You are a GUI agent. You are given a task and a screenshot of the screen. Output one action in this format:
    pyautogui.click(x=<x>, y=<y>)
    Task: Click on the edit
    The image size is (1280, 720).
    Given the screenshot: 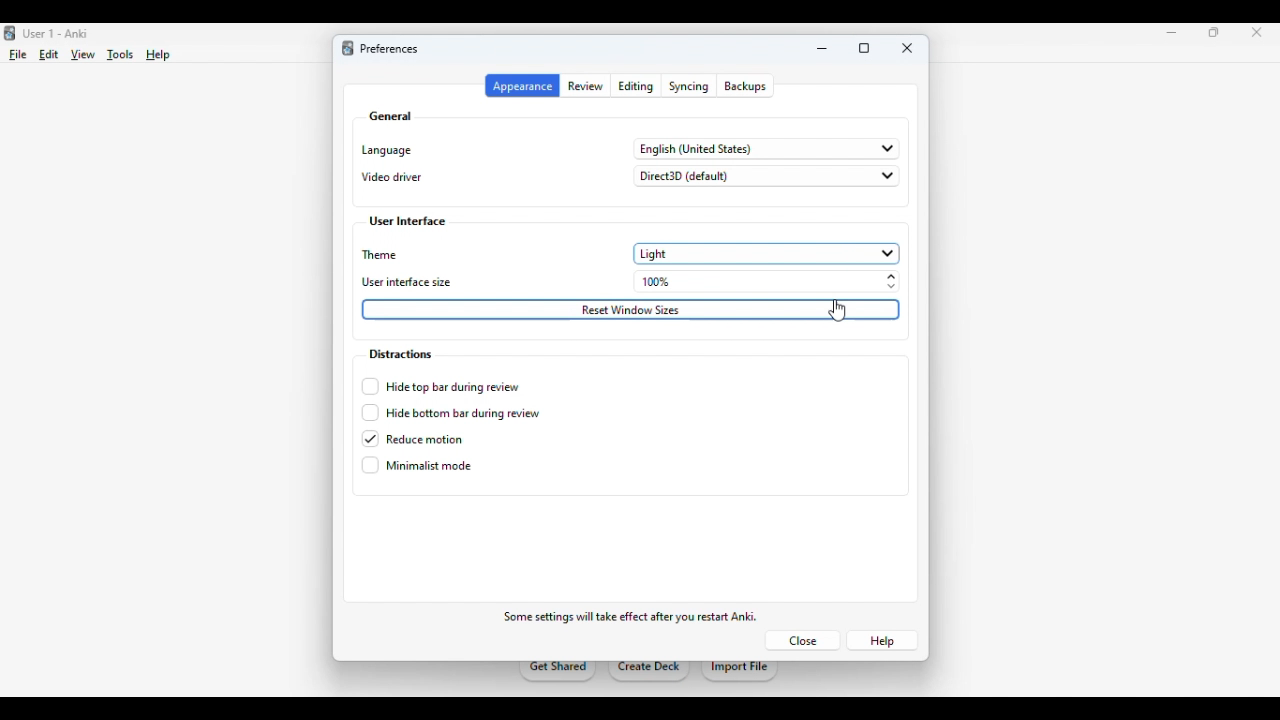 What is the action you would take?
    pyautogui.click(x=49, y=54)
    